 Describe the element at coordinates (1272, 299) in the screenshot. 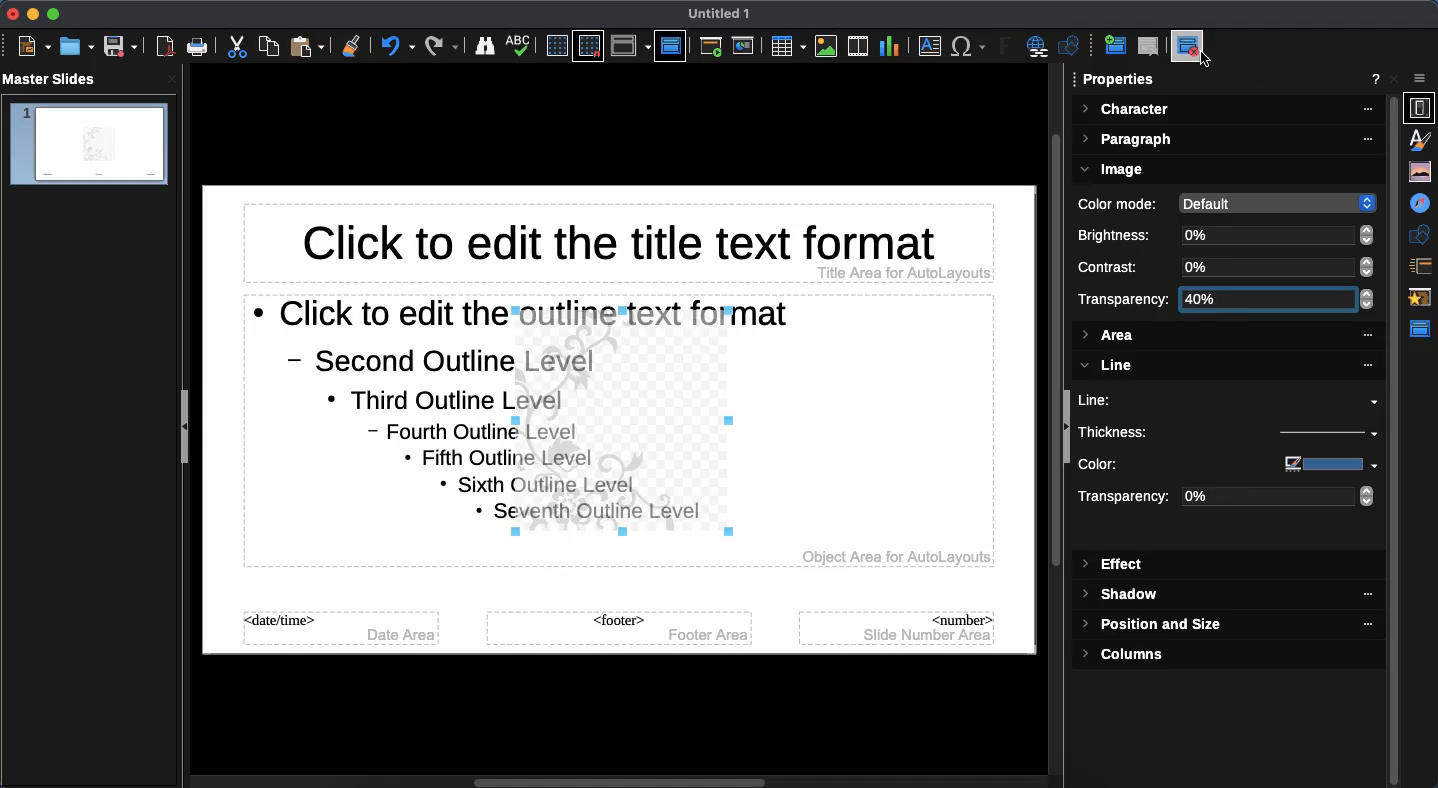

I see `40%` at that location.